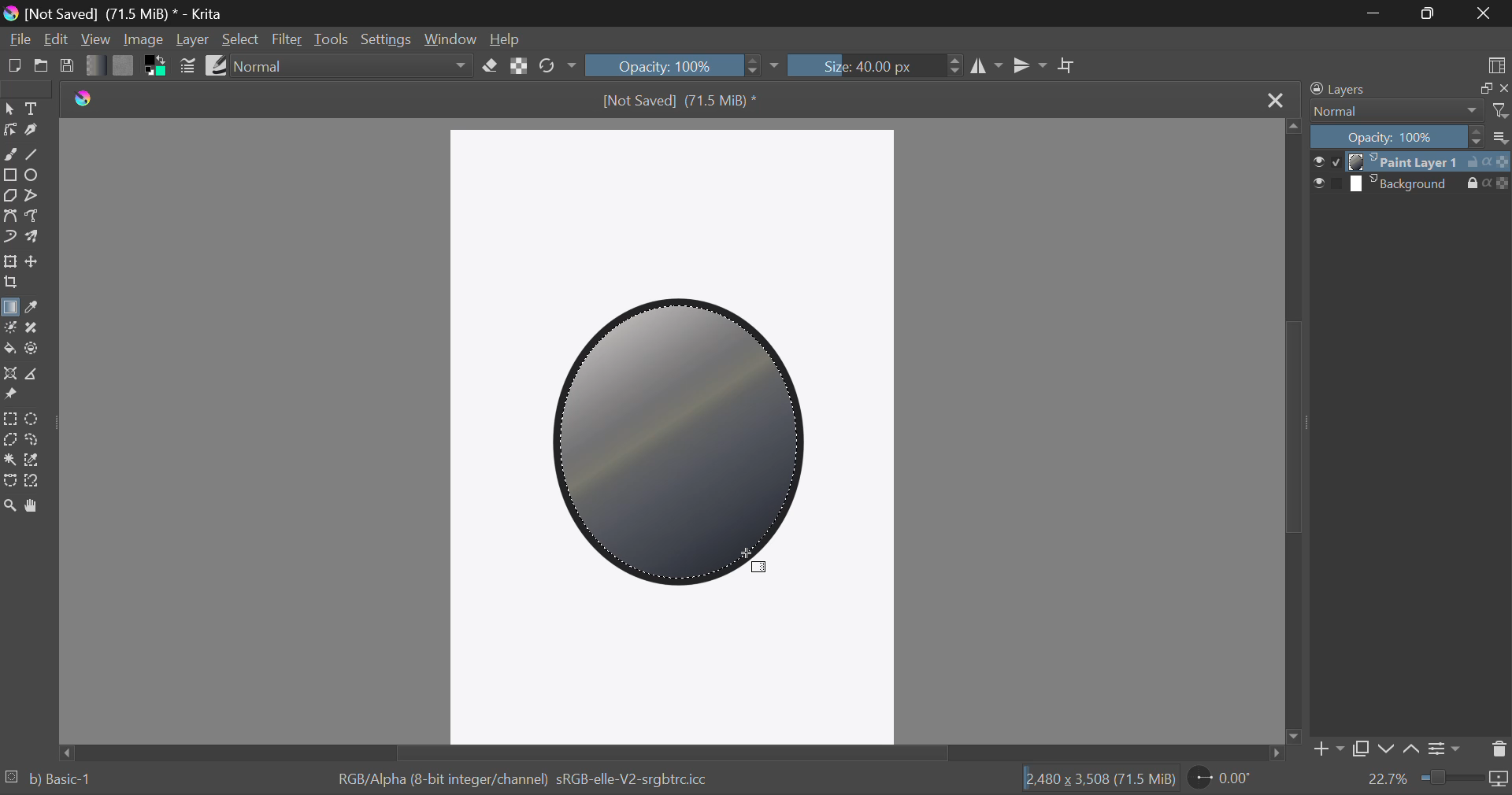 The width and height of the screenshot is (1512, 795). What do you see at coordinates (83, 101) in the screenshot?
I see `logo` at bounding box center [83, 101].